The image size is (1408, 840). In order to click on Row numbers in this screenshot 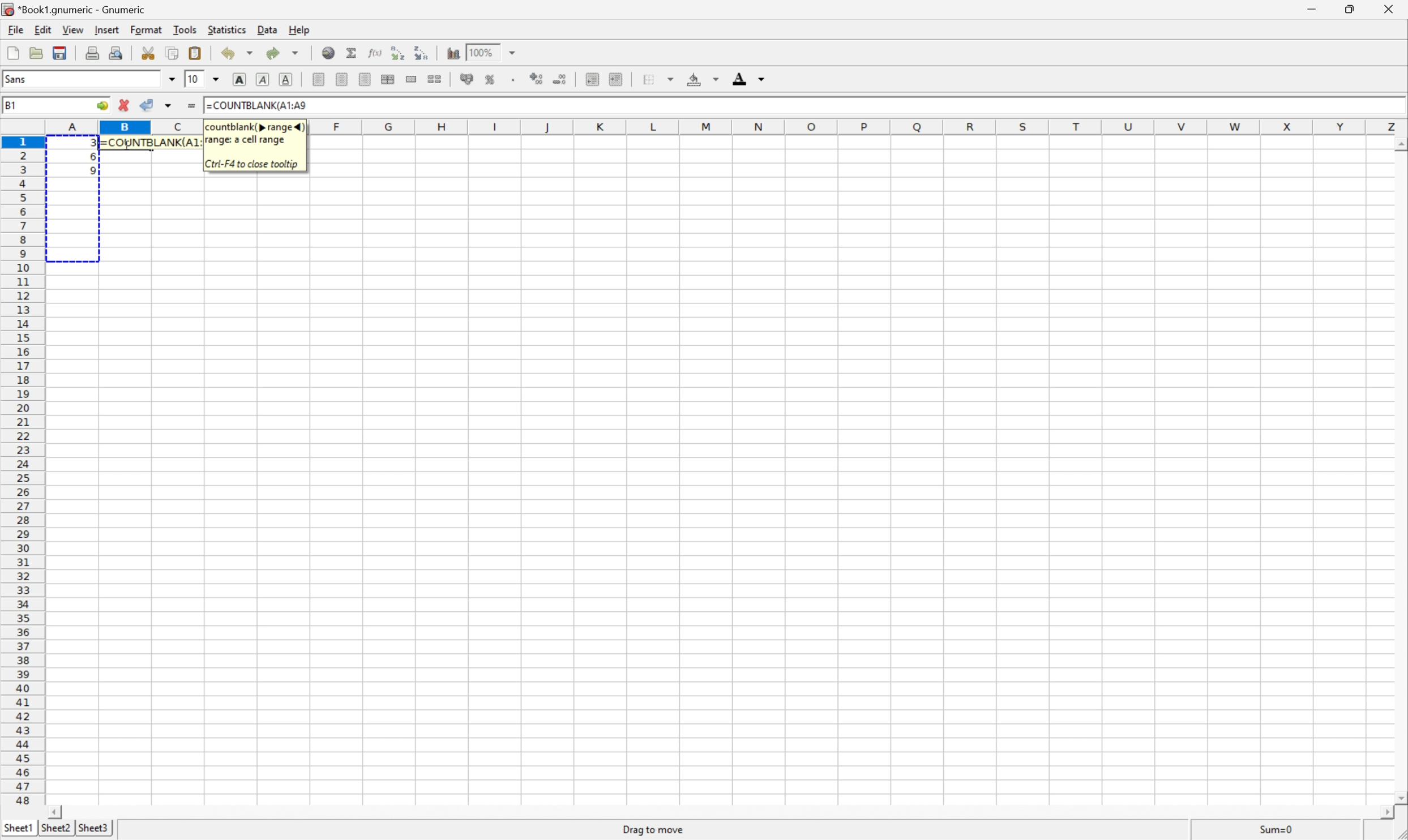, I will do `click(22, 470)`.